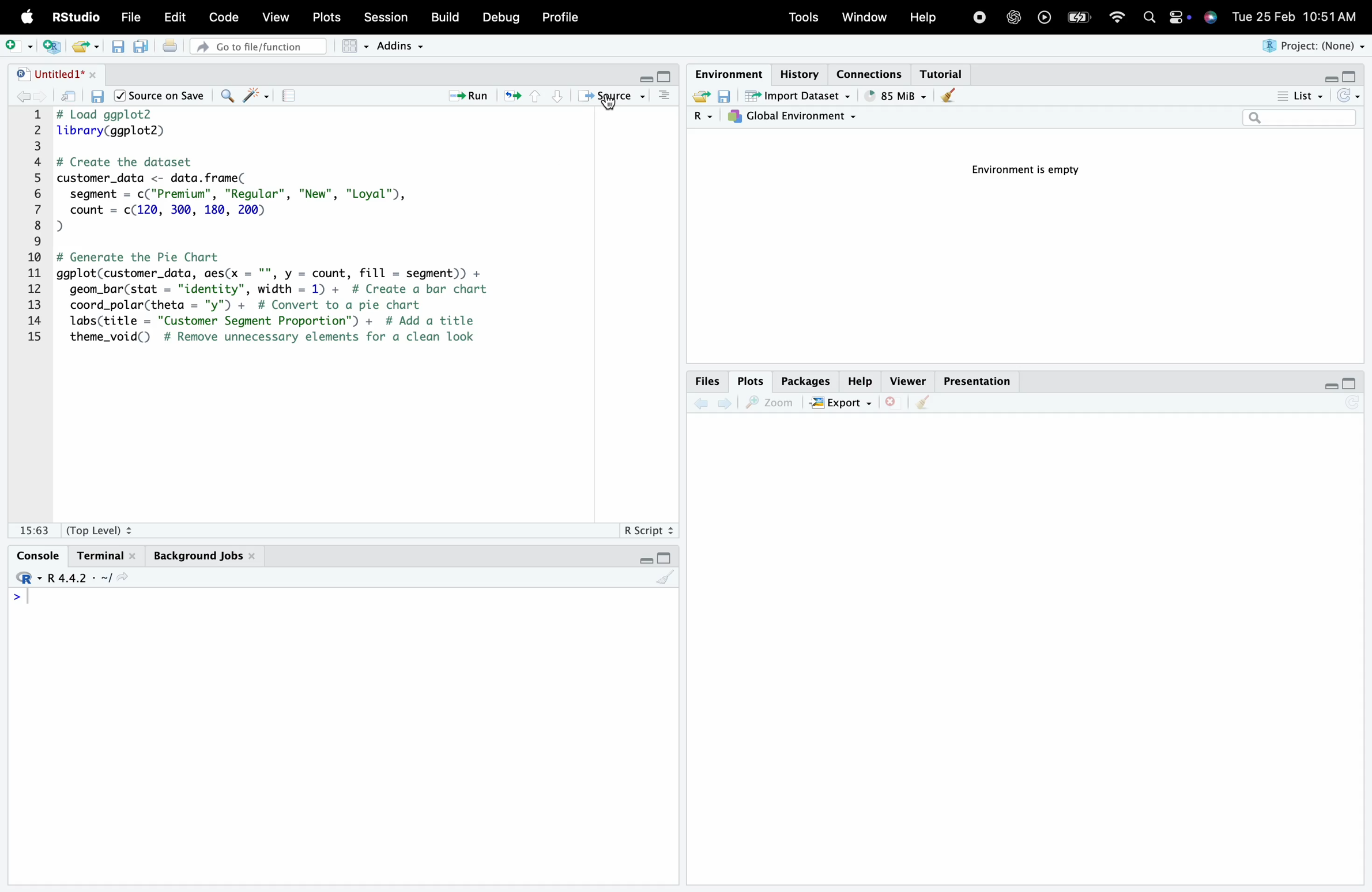 This screenshot has width=1372, height=892. Describe the element at coordinates (1015, 22) in the screenshot. I see `open AI` at that location.